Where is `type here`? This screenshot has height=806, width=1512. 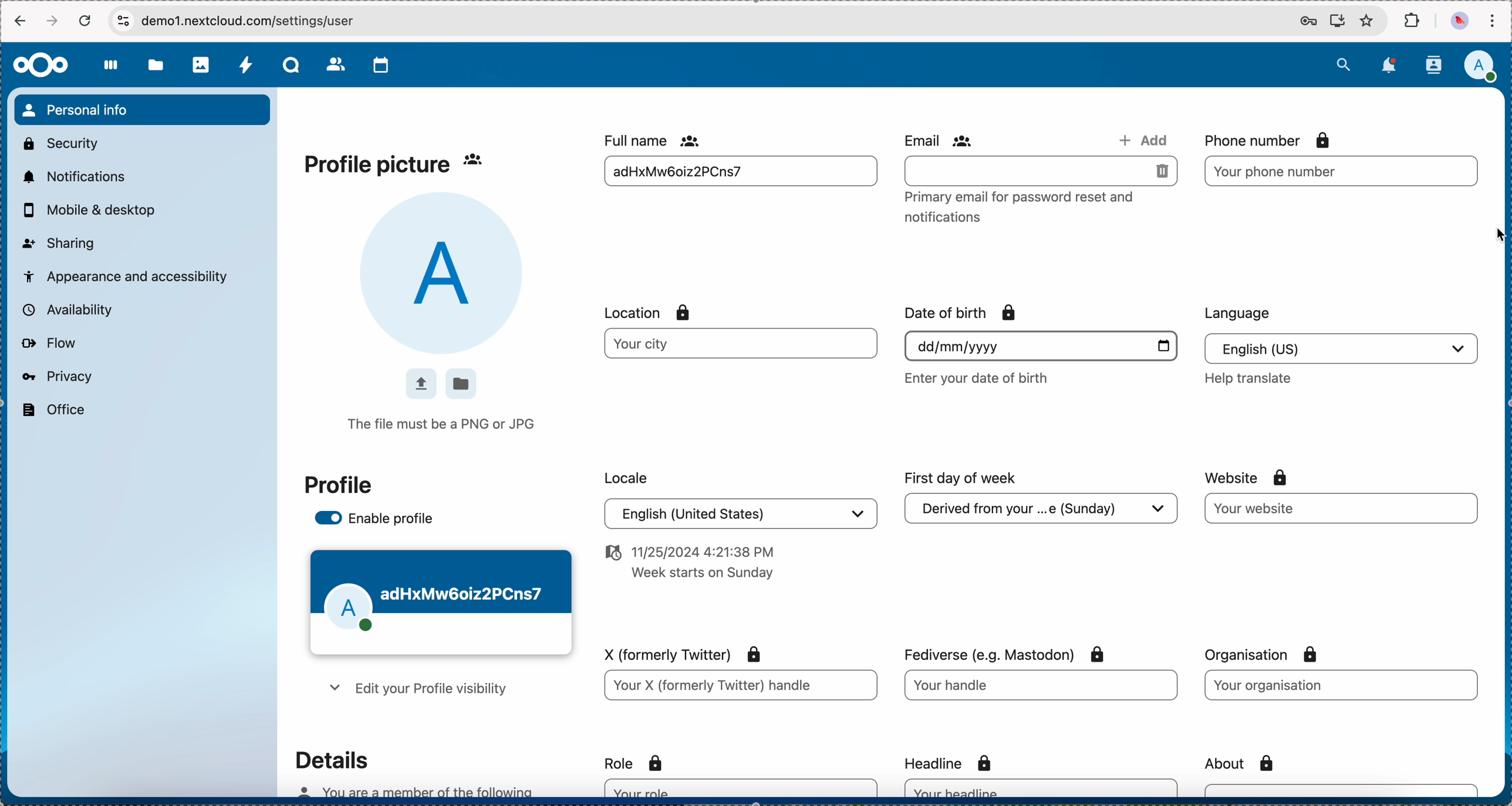 type here is located at coordinates (1341, 686).